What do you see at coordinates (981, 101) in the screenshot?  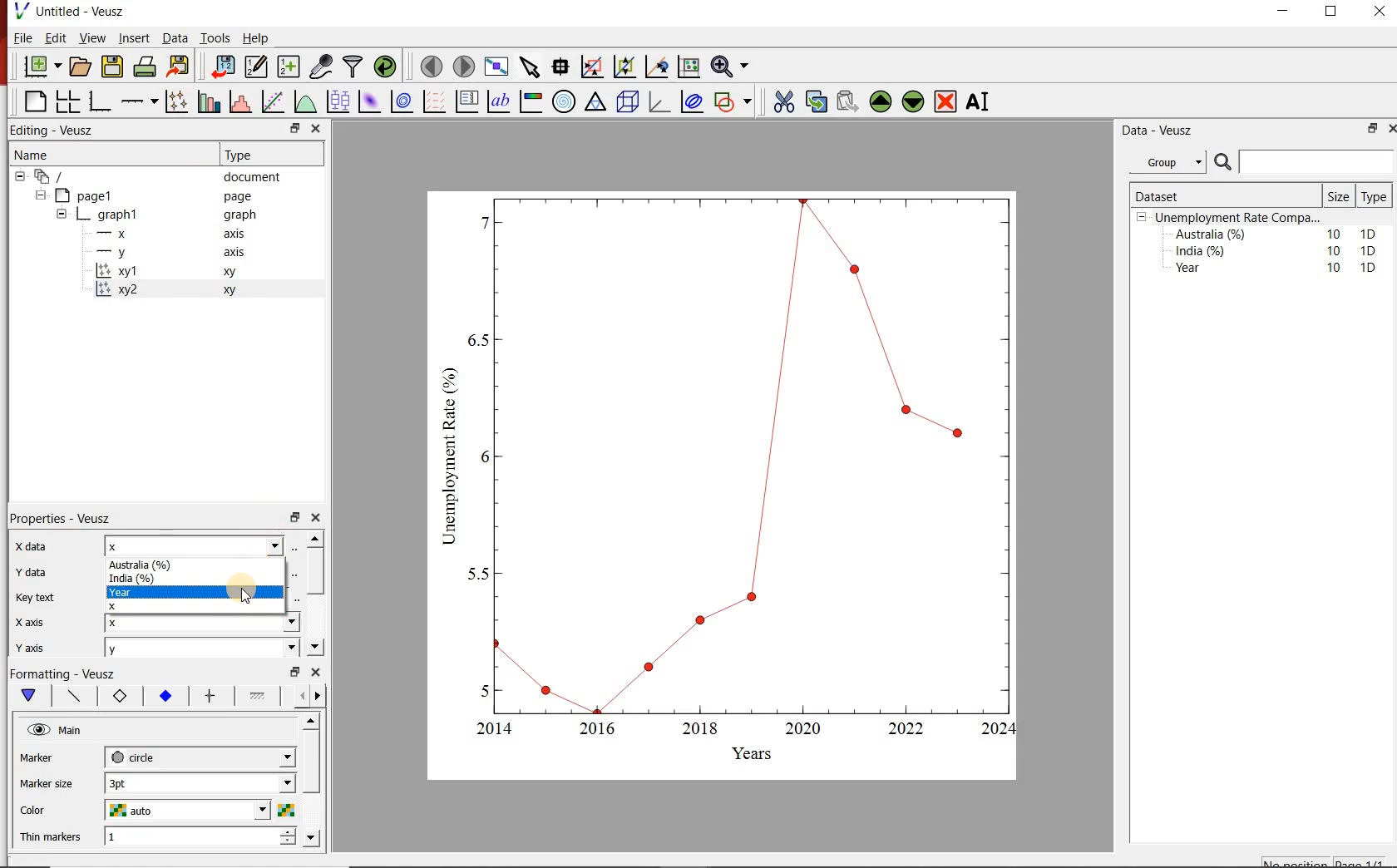 I see `rename the widgets` at bounding box center [981, 101].